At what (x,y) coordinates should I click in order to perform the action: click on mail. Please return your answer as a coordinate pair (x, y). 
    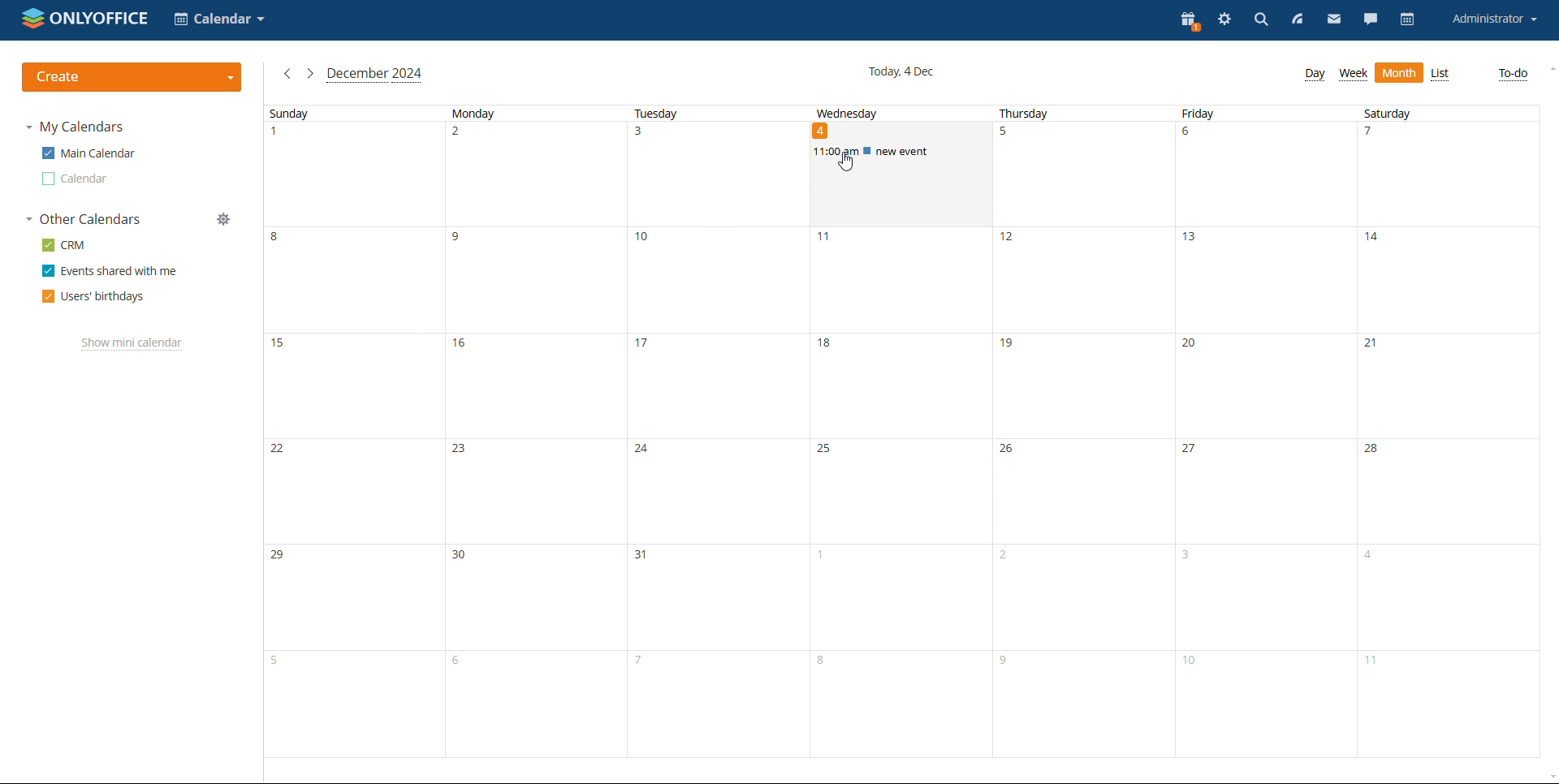
    Looking at the image, I should click on (1333, 21).